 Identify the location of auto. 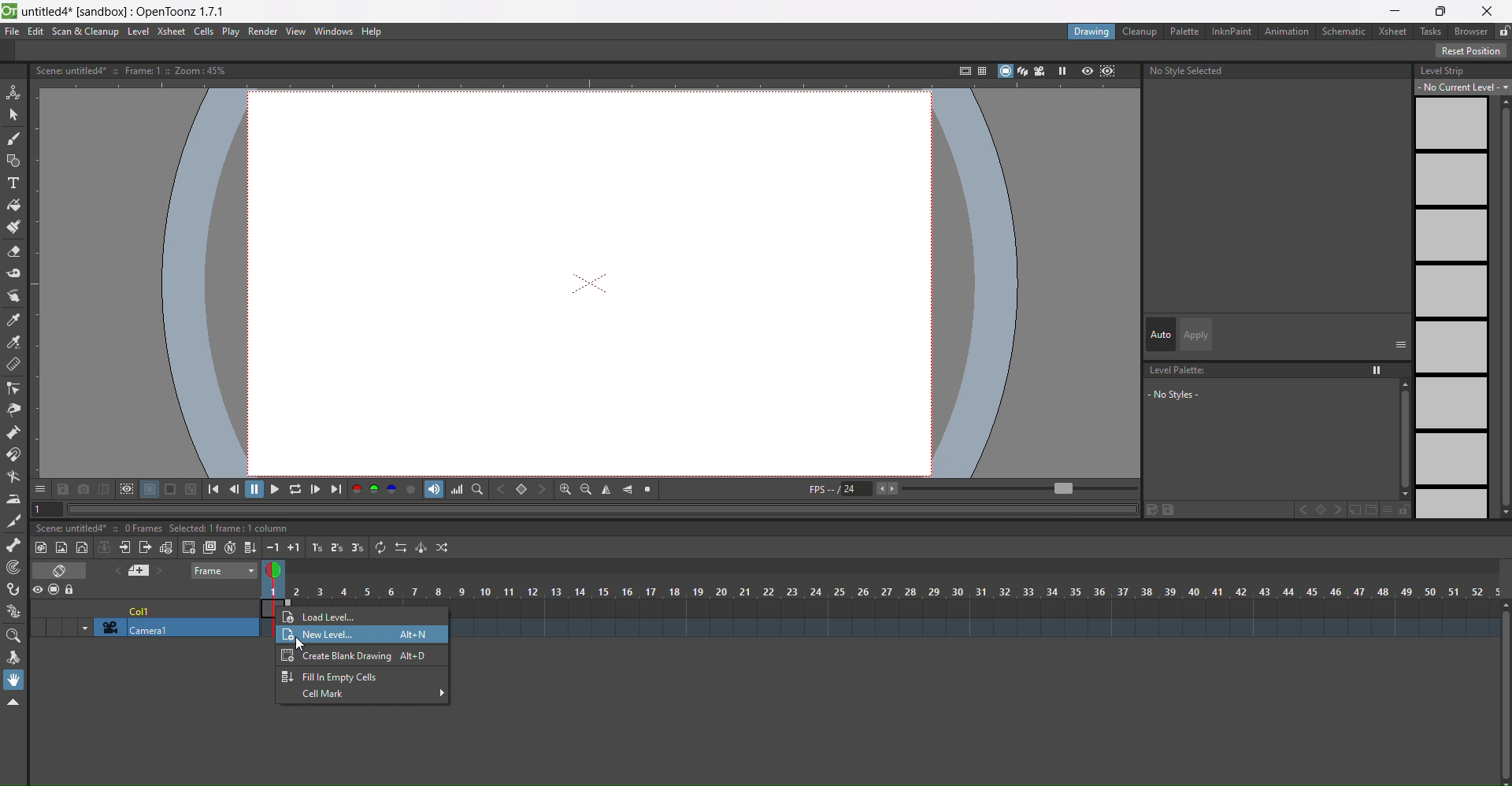
(1161, 334).